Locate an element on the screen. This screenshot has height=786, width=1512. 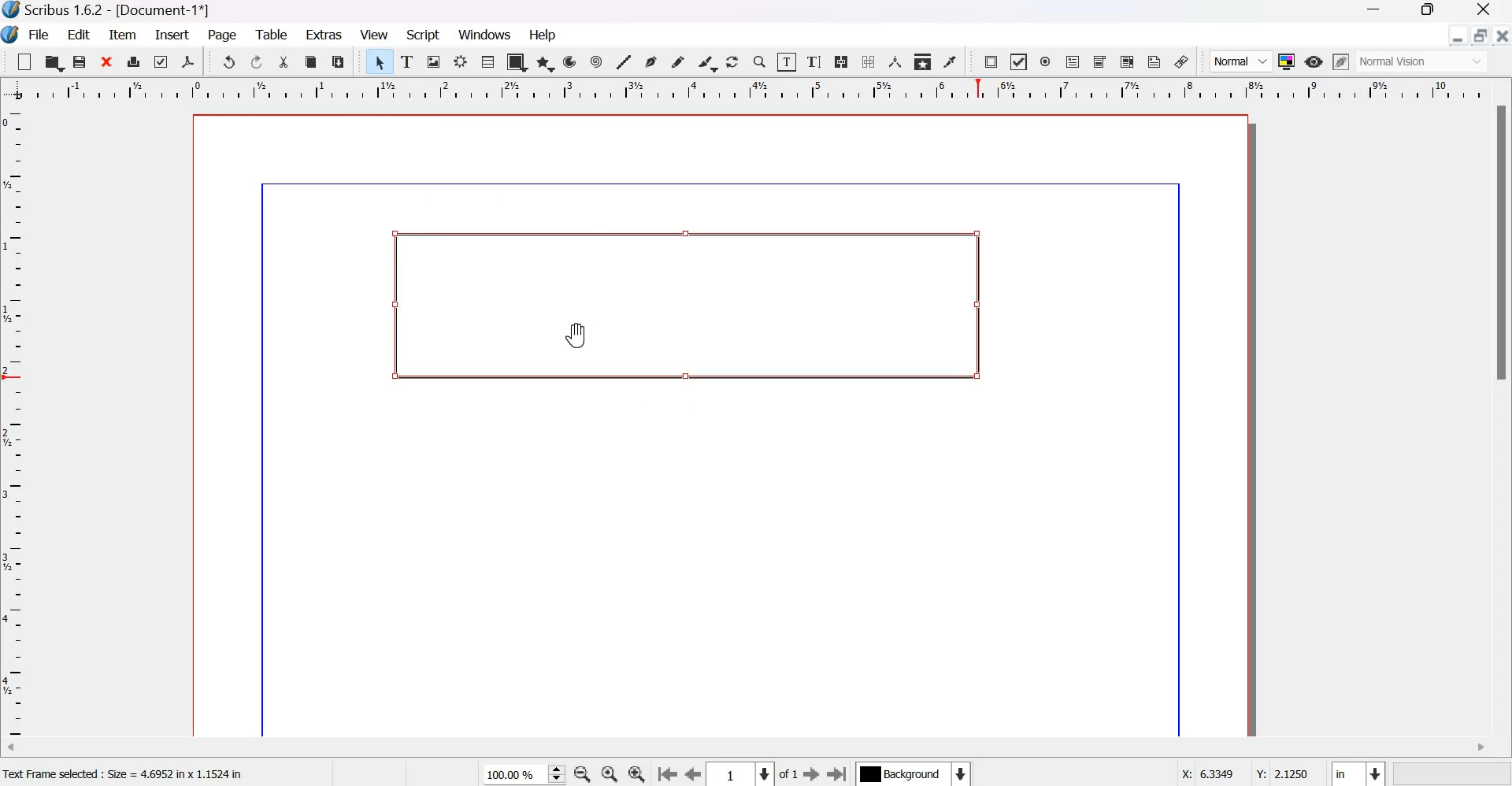
current zoom level is located at coordinates (524, 775).